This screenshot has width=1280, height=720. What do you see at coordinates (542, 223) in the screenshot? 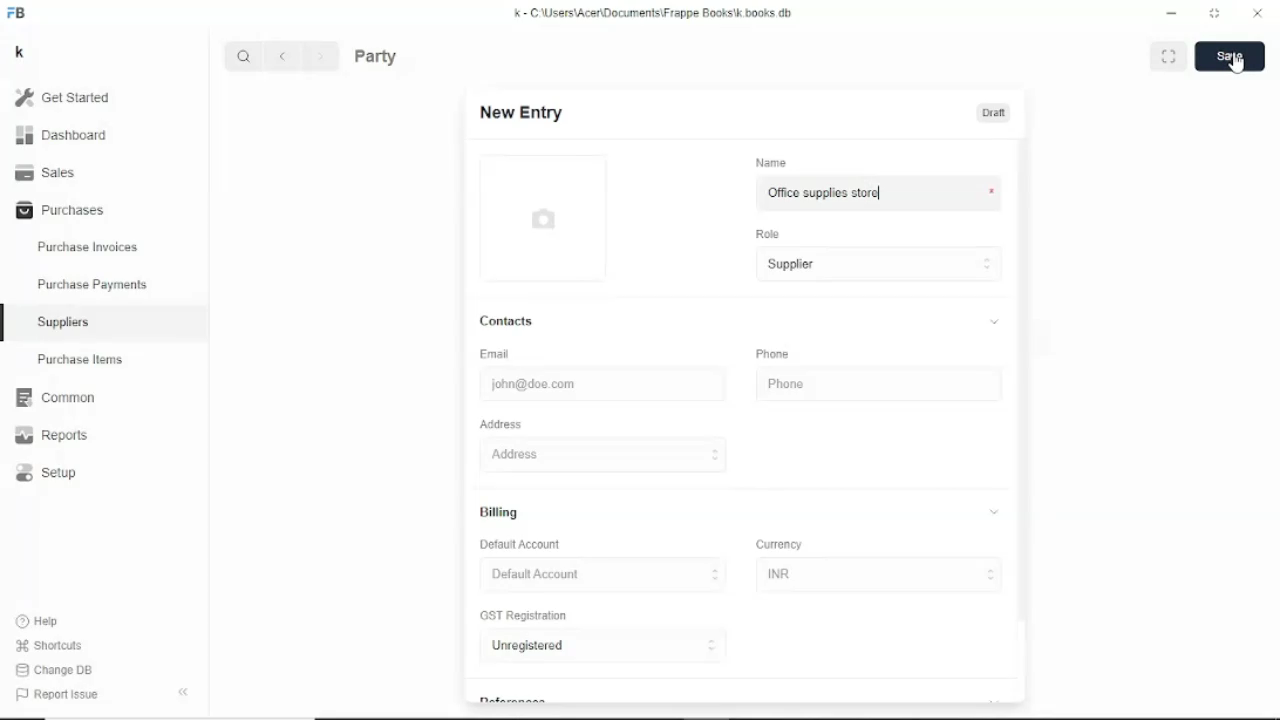
I see `Picture` at bounding box center [542, 223].